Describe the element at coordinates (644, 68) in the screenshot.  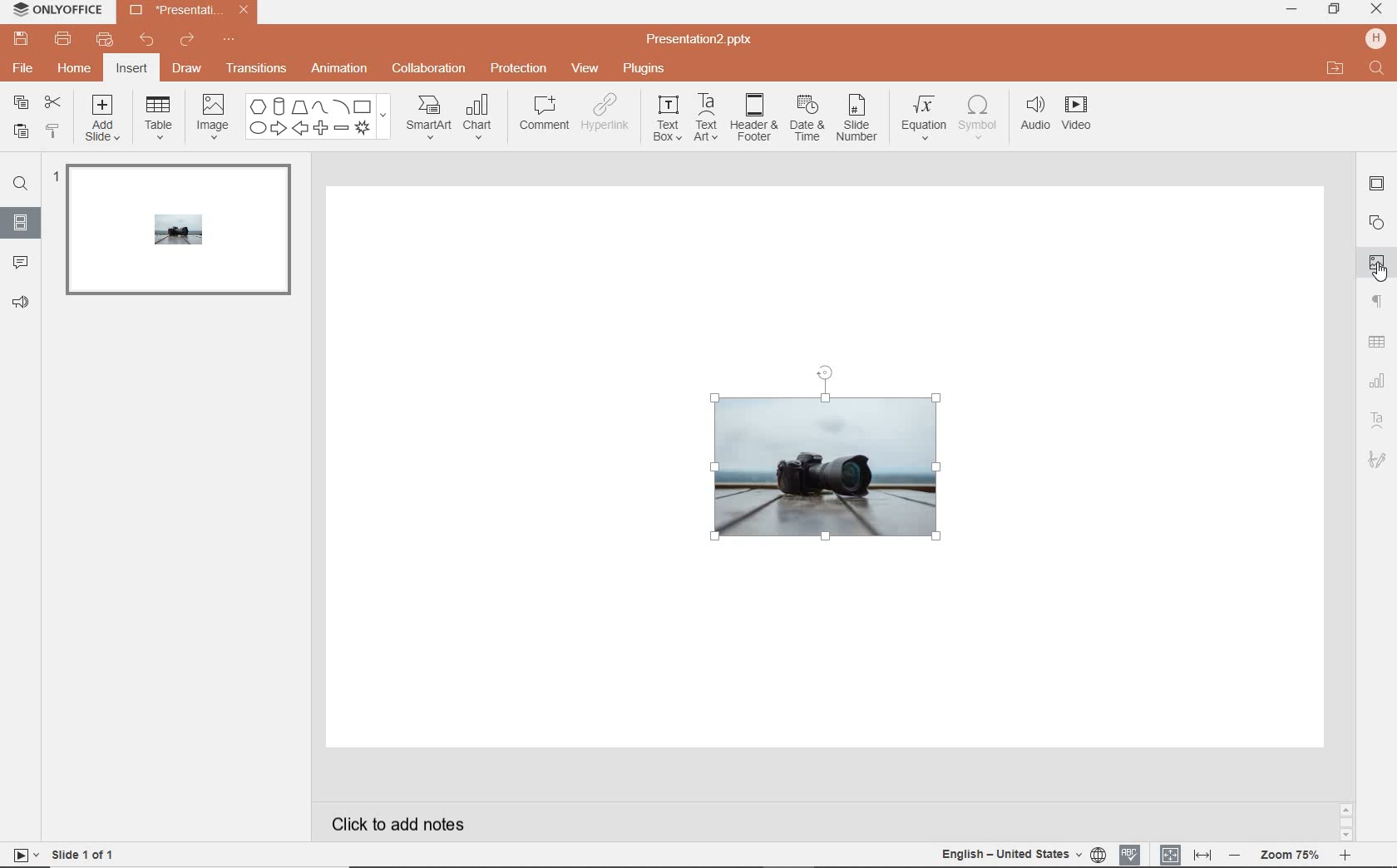
I see `plugins` at that location.